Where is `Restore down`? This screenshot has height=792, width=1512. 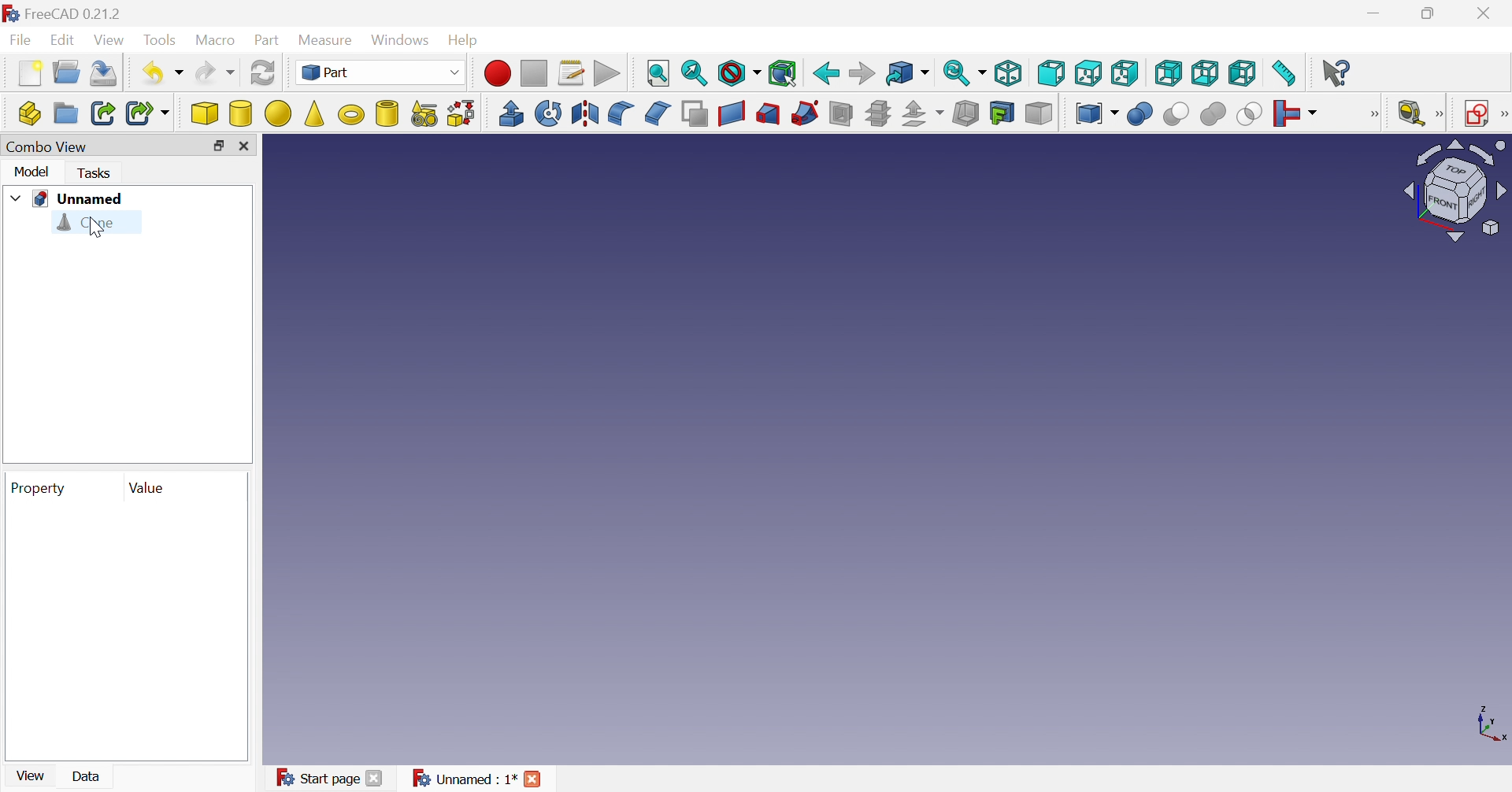 Restore down is located at coordinates (220, 146).